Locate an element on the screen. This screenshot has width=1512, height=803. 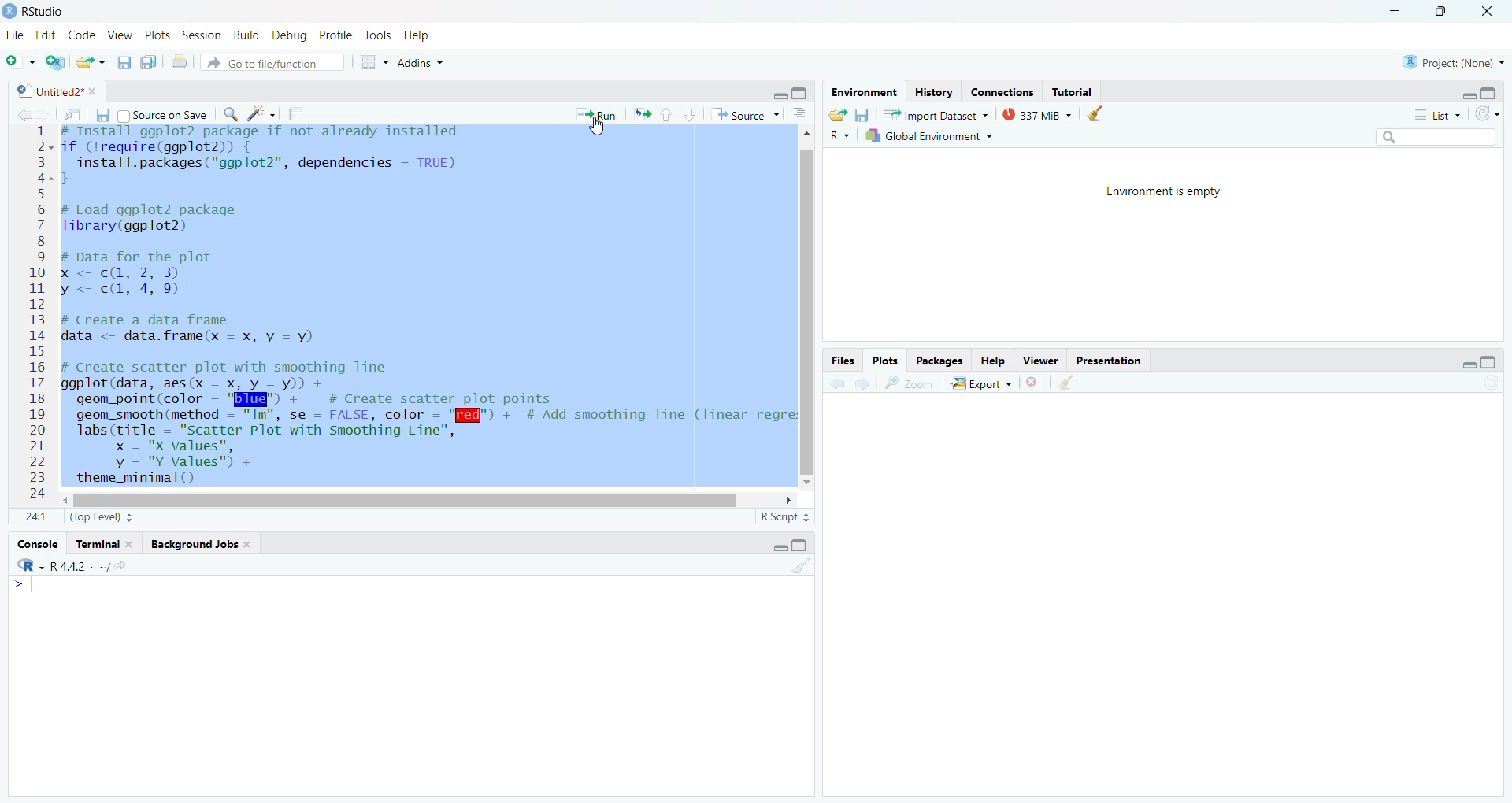
Build is located at coordinates (247, 35).